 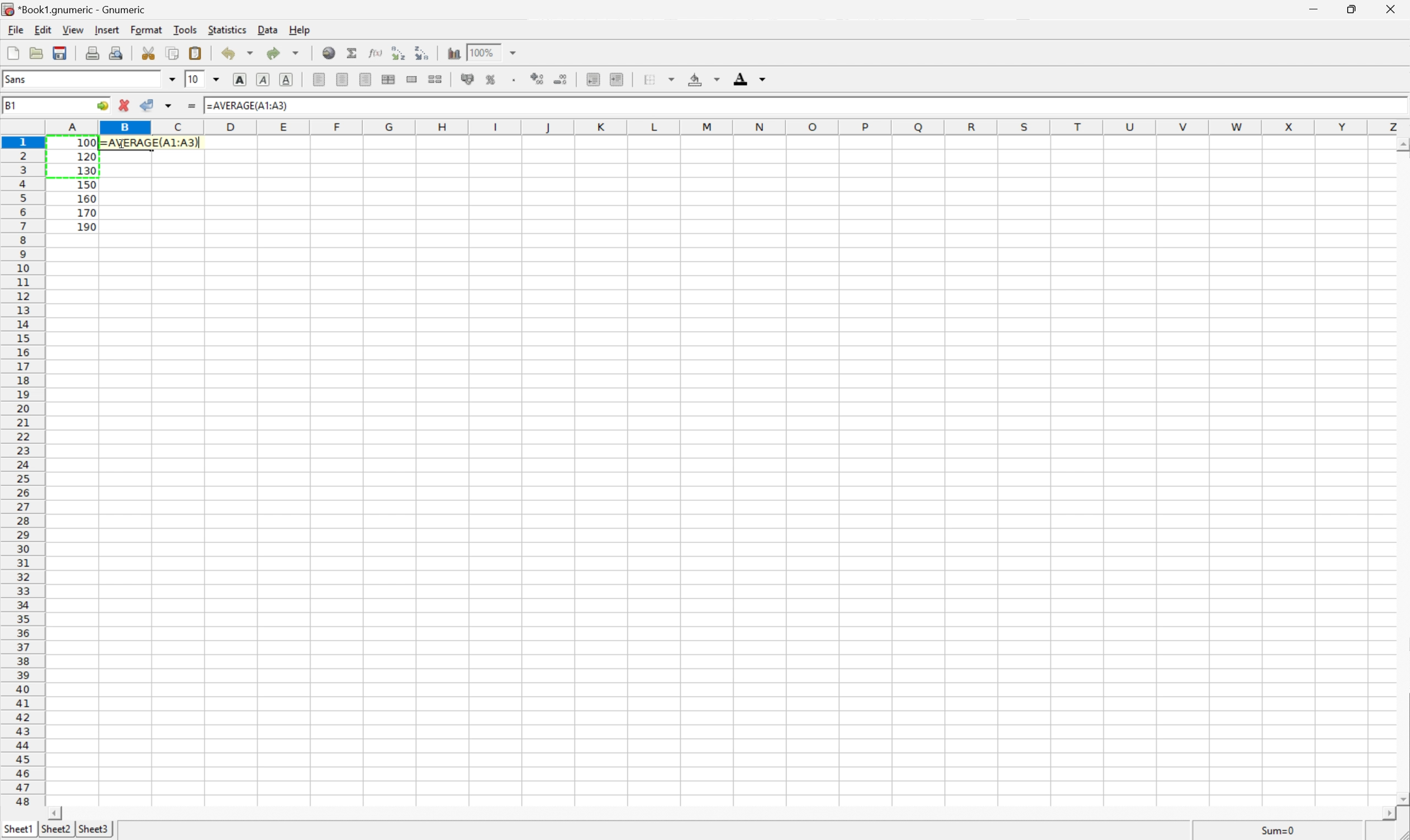 I want to click on Format, so click(x=147, y=29).